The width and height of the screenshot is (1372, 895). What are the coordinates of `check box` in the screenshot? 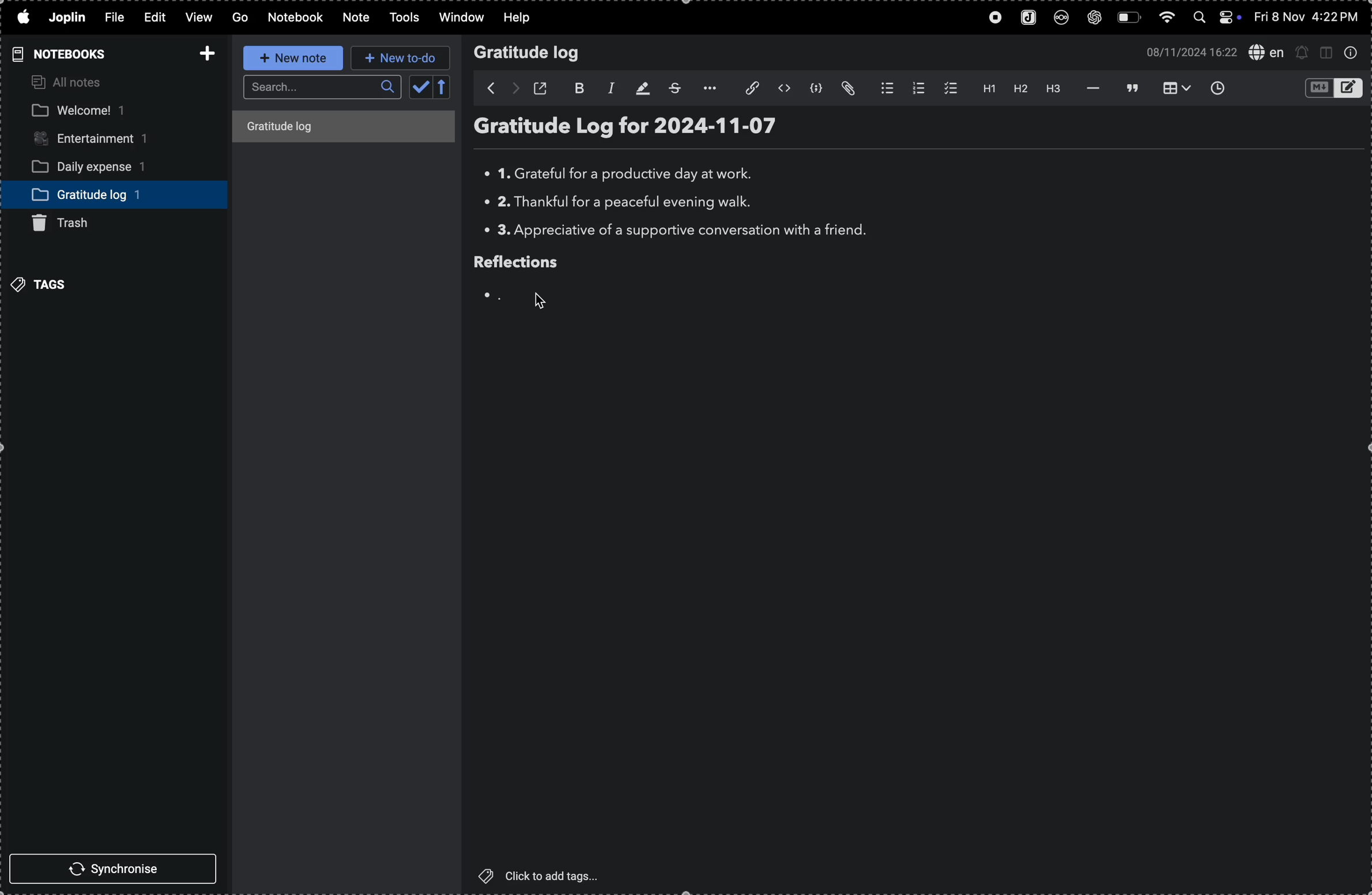 It's located at (949, 88).